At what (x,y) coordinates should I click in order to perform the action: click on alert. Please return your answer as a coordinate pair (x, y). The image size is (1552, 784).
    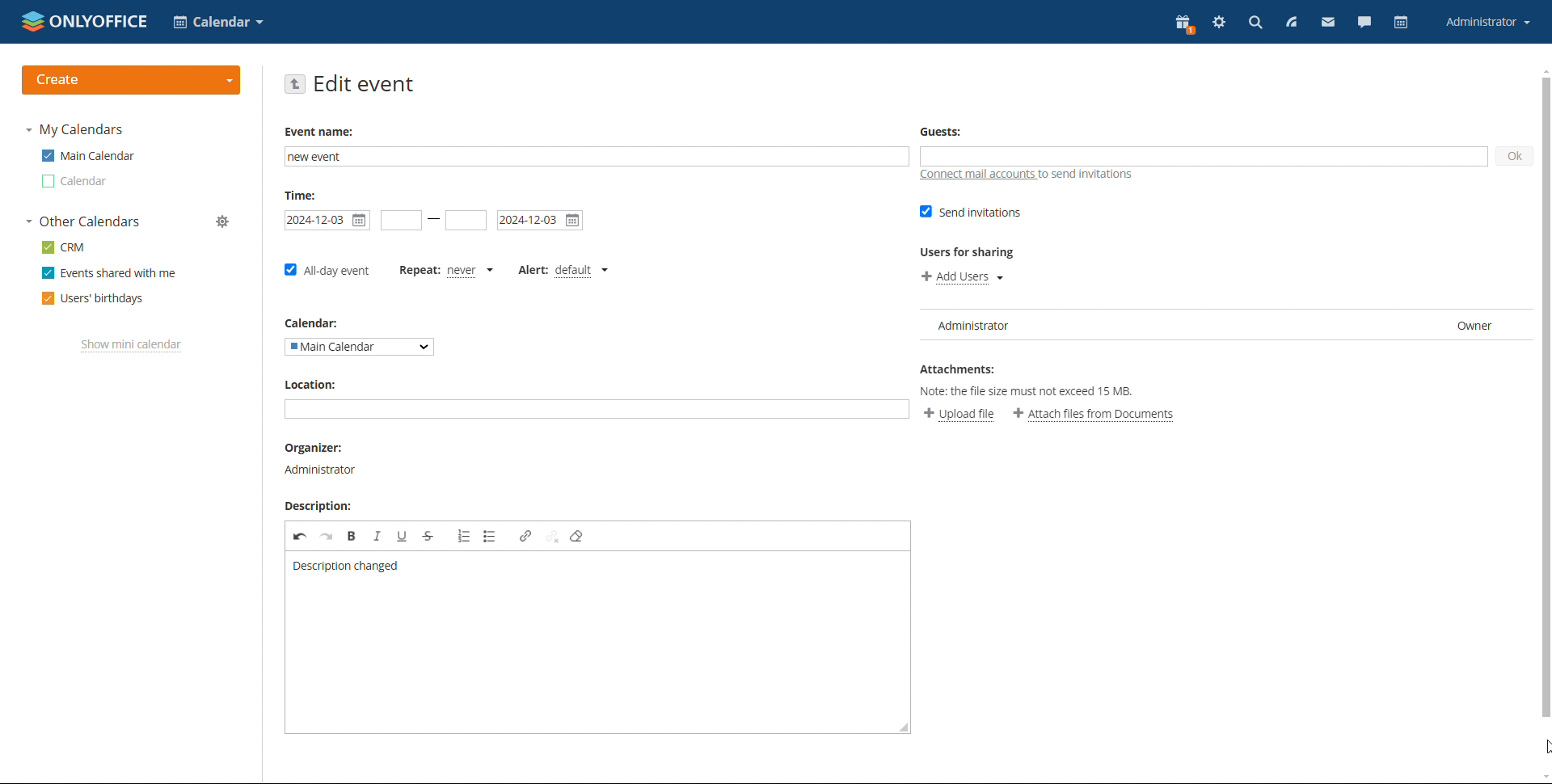
    Looking at the image, I should click on (531, 268).